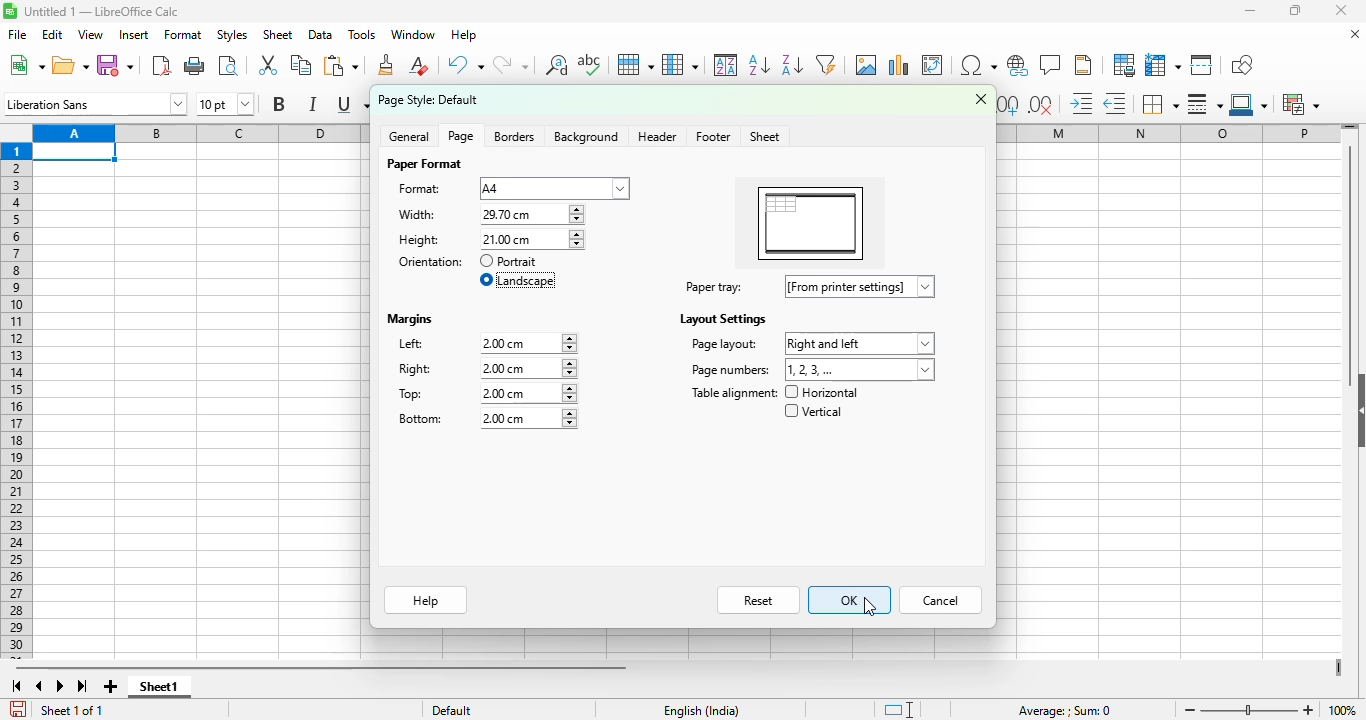  I want to click on active cell, so click(75, 152).